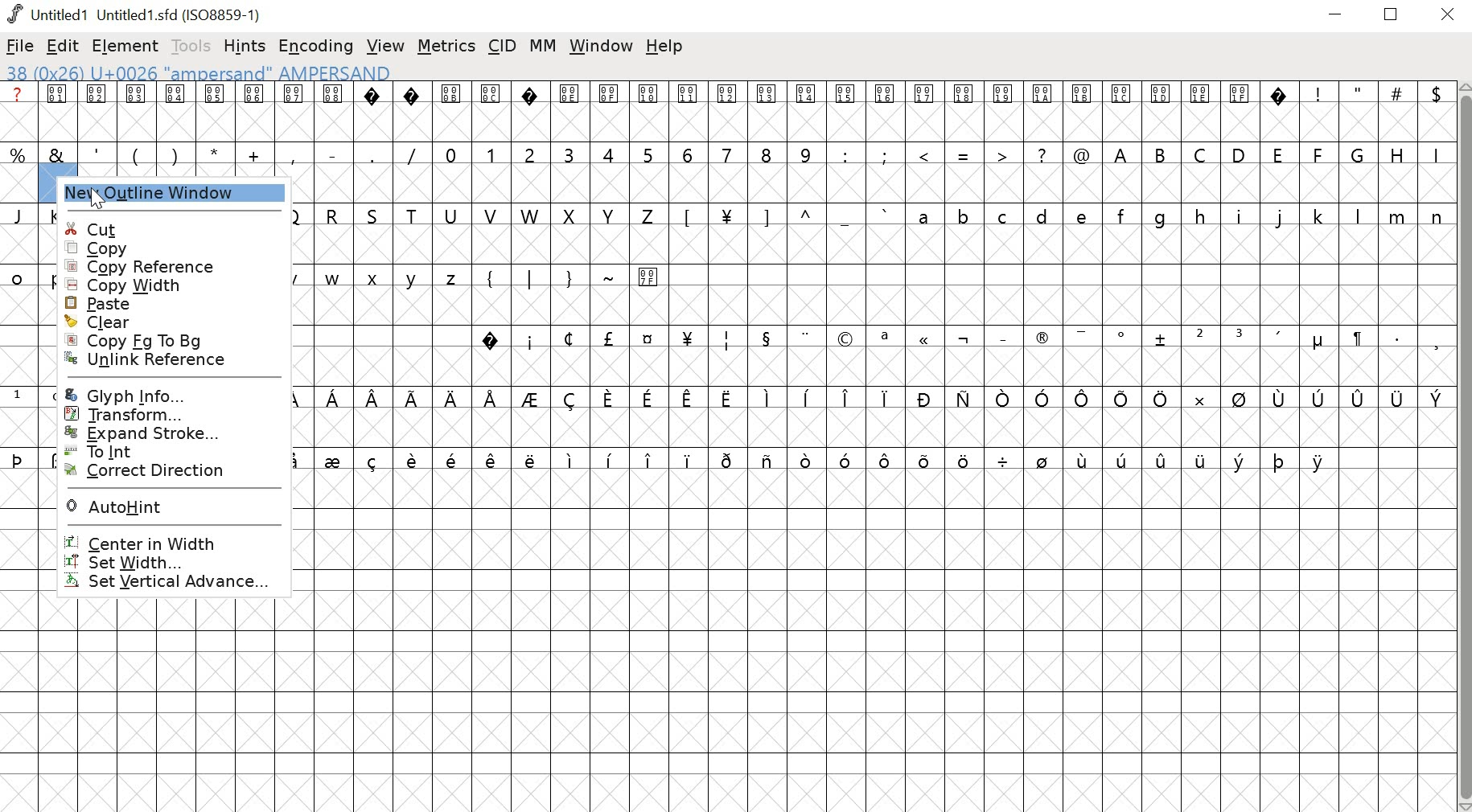 This screenshot has height=812, width=1472. What do you see at coordinates (1161, 398) in the screenshot?
I see `symbol` at bounding box center [1161, 398].